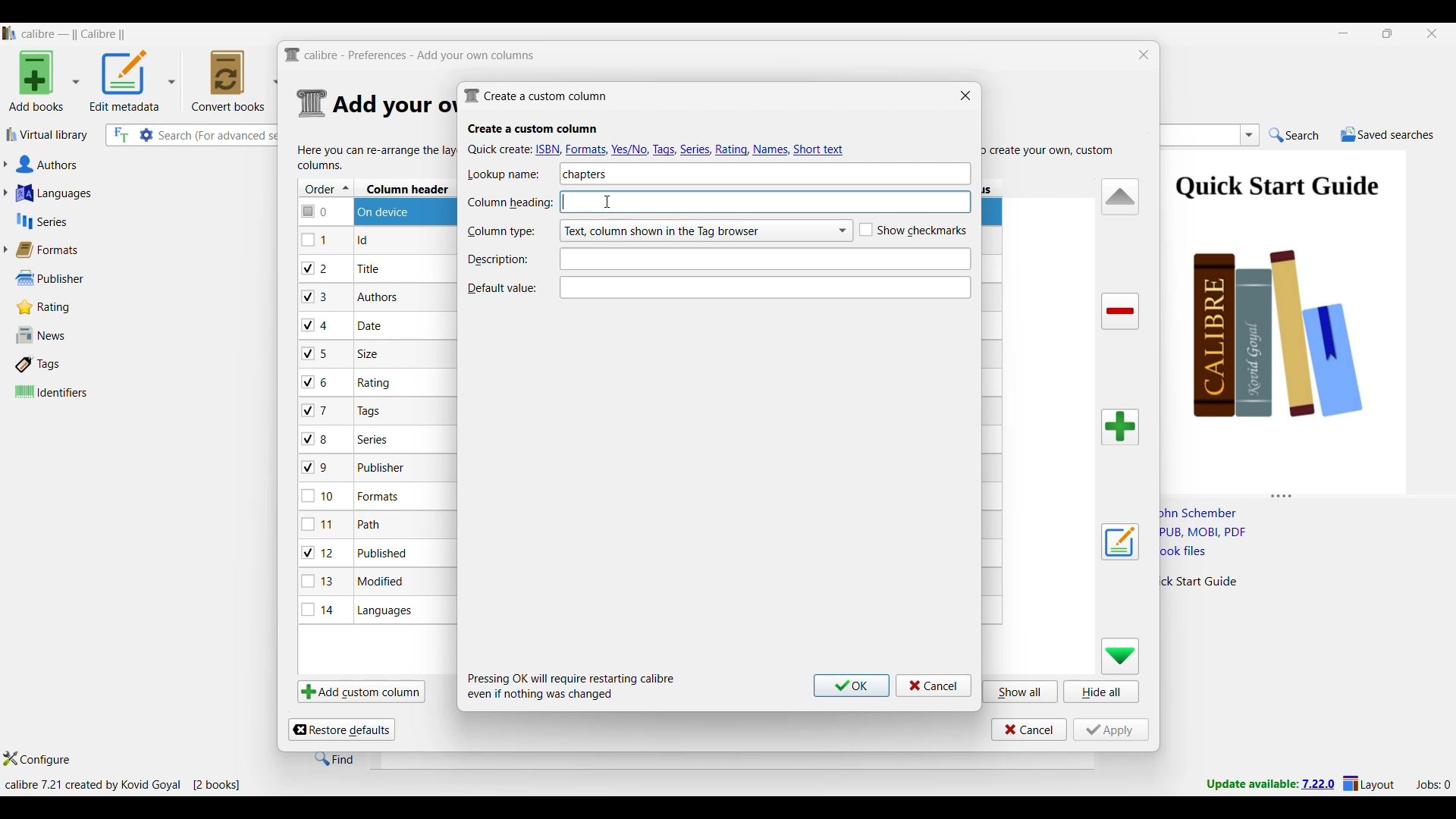 Image resolution: width=1456 pixels, height=819 pixels. Describe the element at coordinates (1303, 316) in the screenshot. I see `Book preview` at that location.